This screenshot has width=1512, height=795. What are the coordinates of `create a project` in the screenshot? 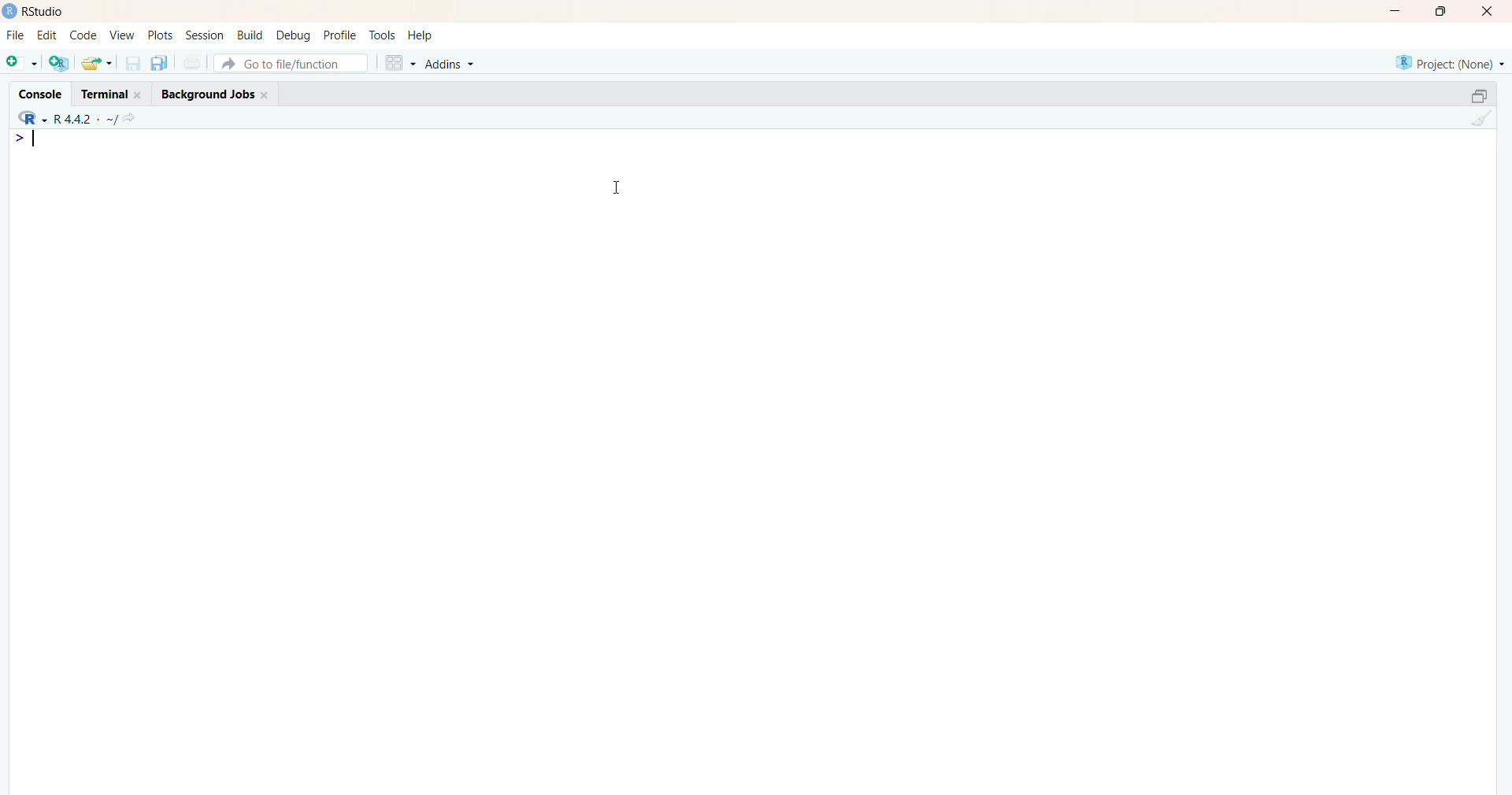 It's located at (58, 63).